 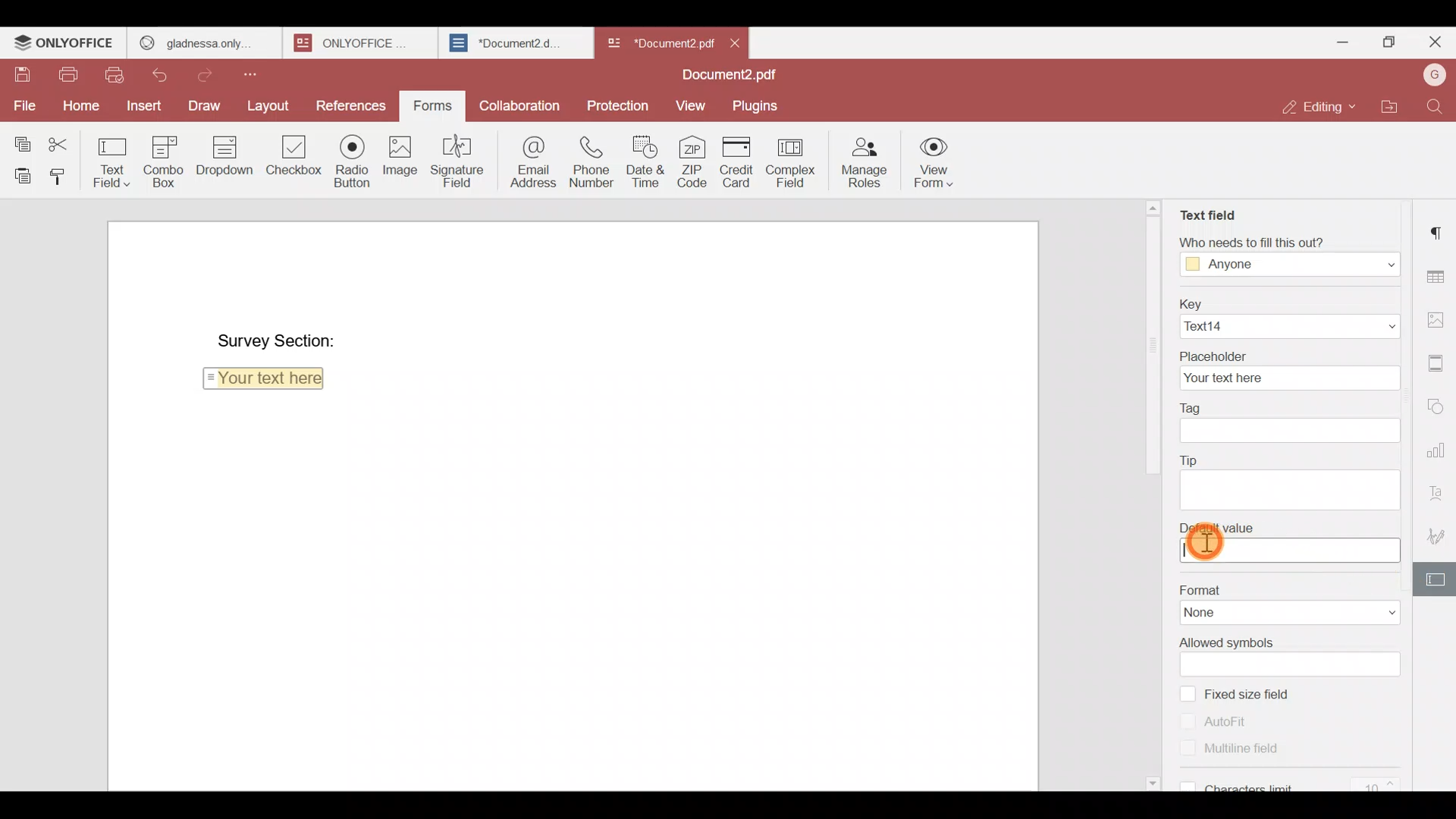 I want to click on *Document2 pd, so click(x=657, y=42).